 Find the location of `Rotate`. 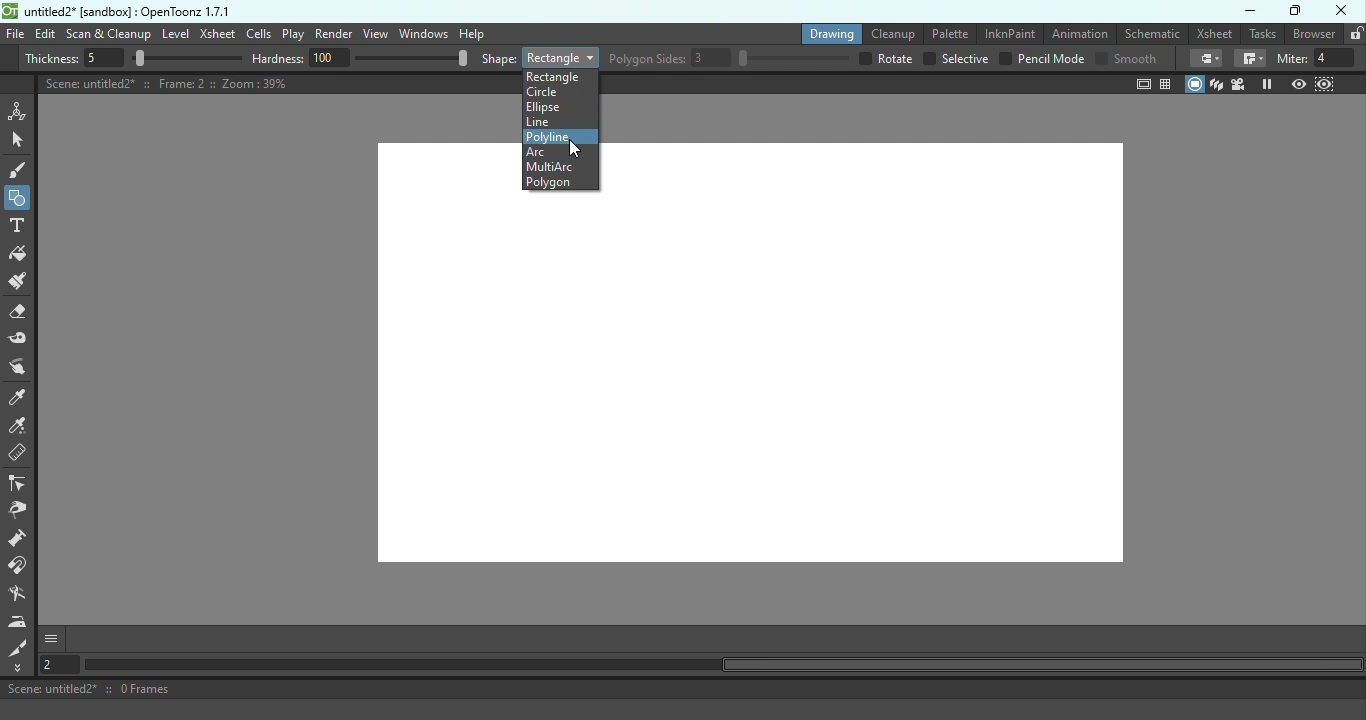

Rotate is located at coordinates (886, 59).